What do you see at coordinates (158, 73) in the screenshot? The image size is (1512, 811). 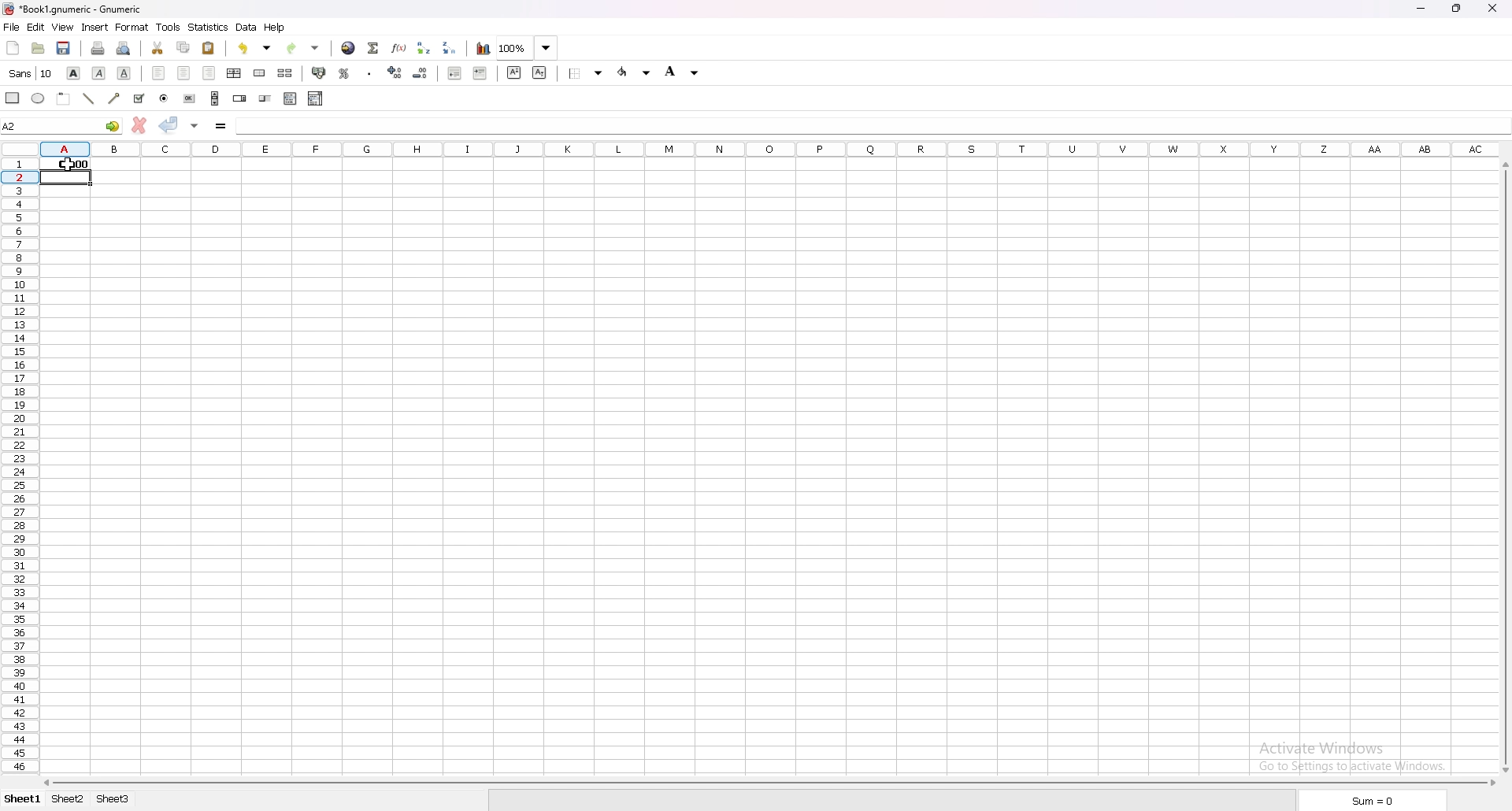 I see `align left` at bounding box center [158, 73].